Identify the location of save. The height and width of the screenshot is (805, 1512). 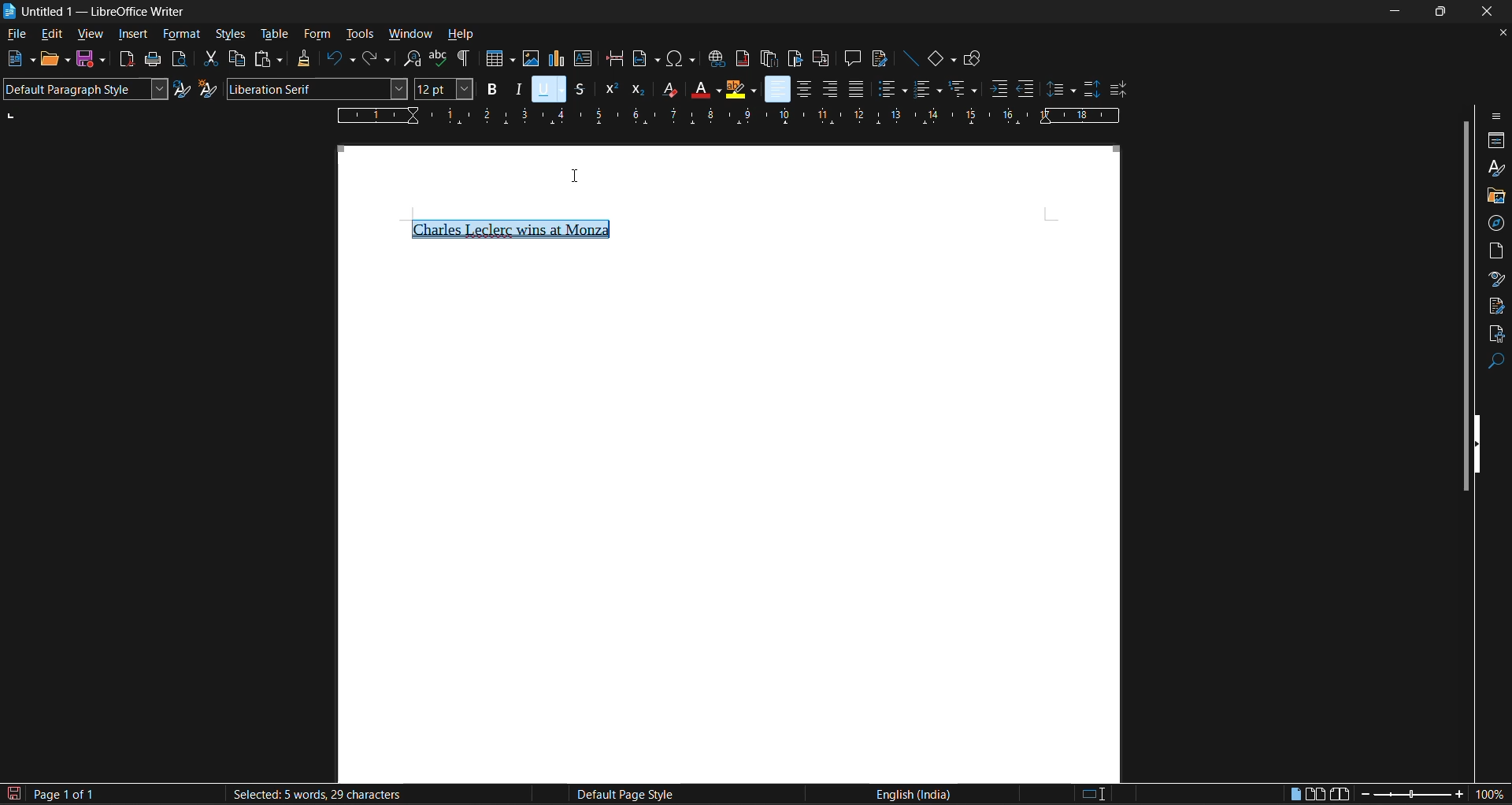
(90, 60).